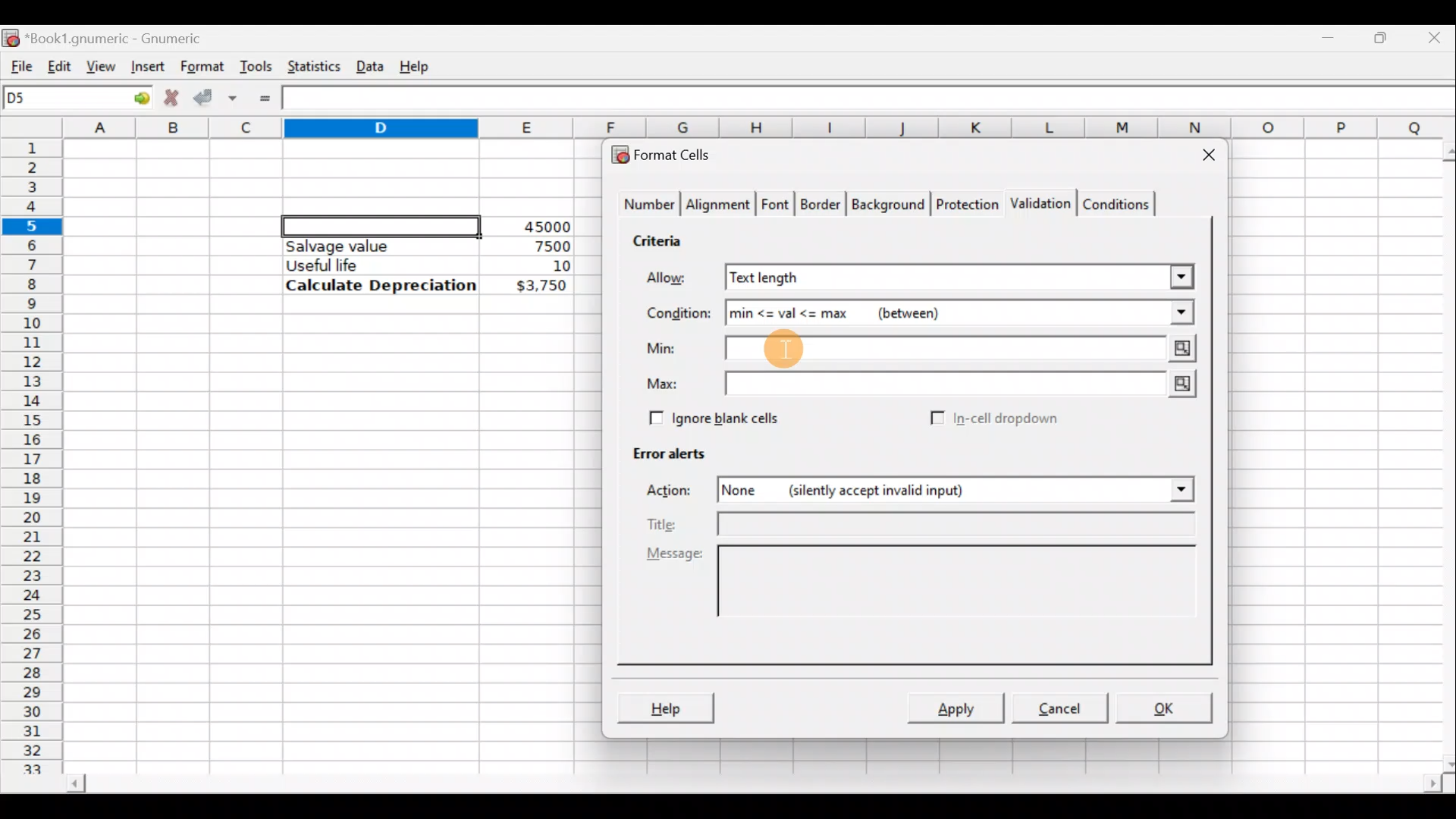  I want to click on Number, so click(645, 206).